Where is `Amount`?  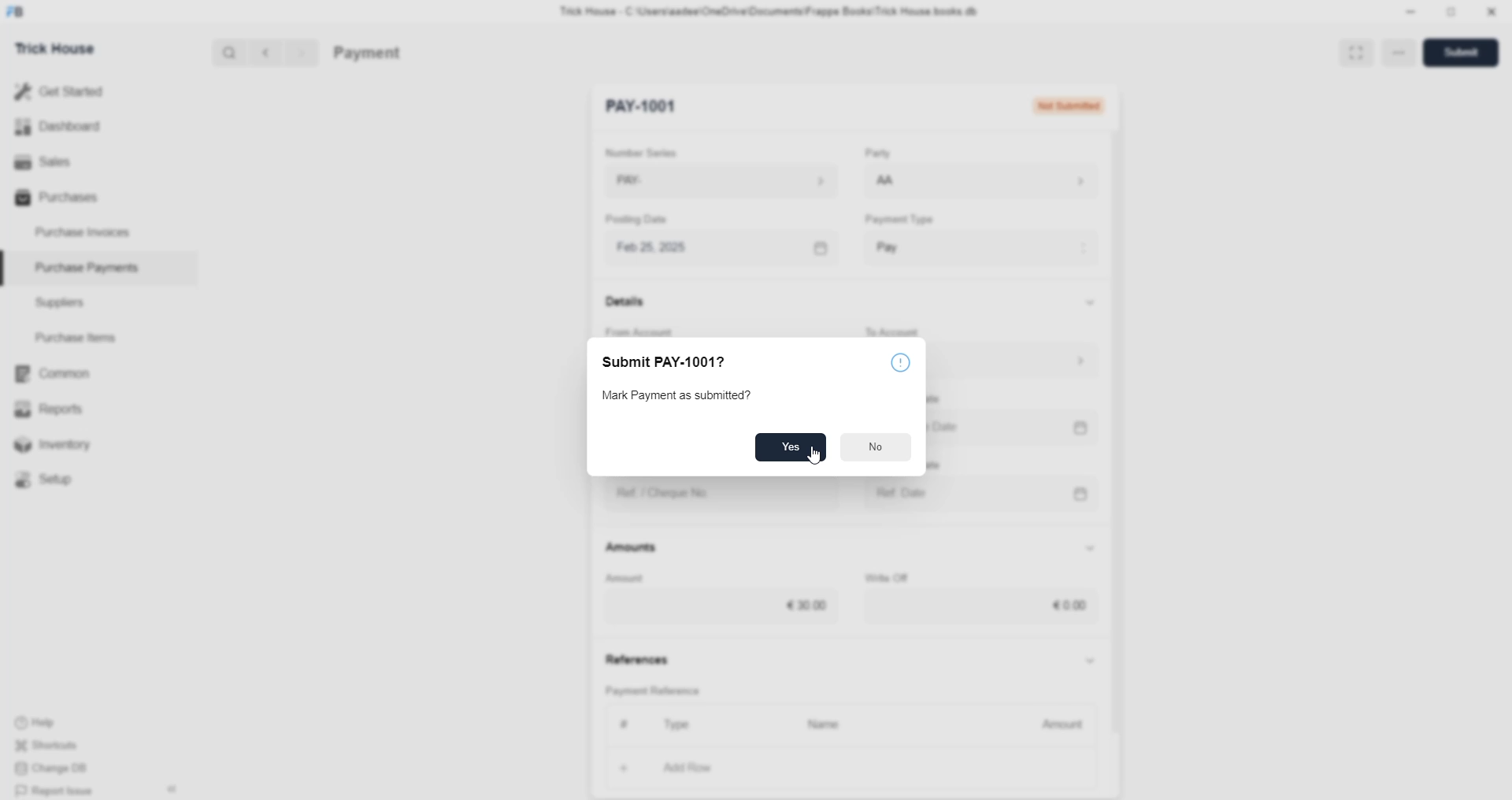 Amount is located at coordinates (642, 576).